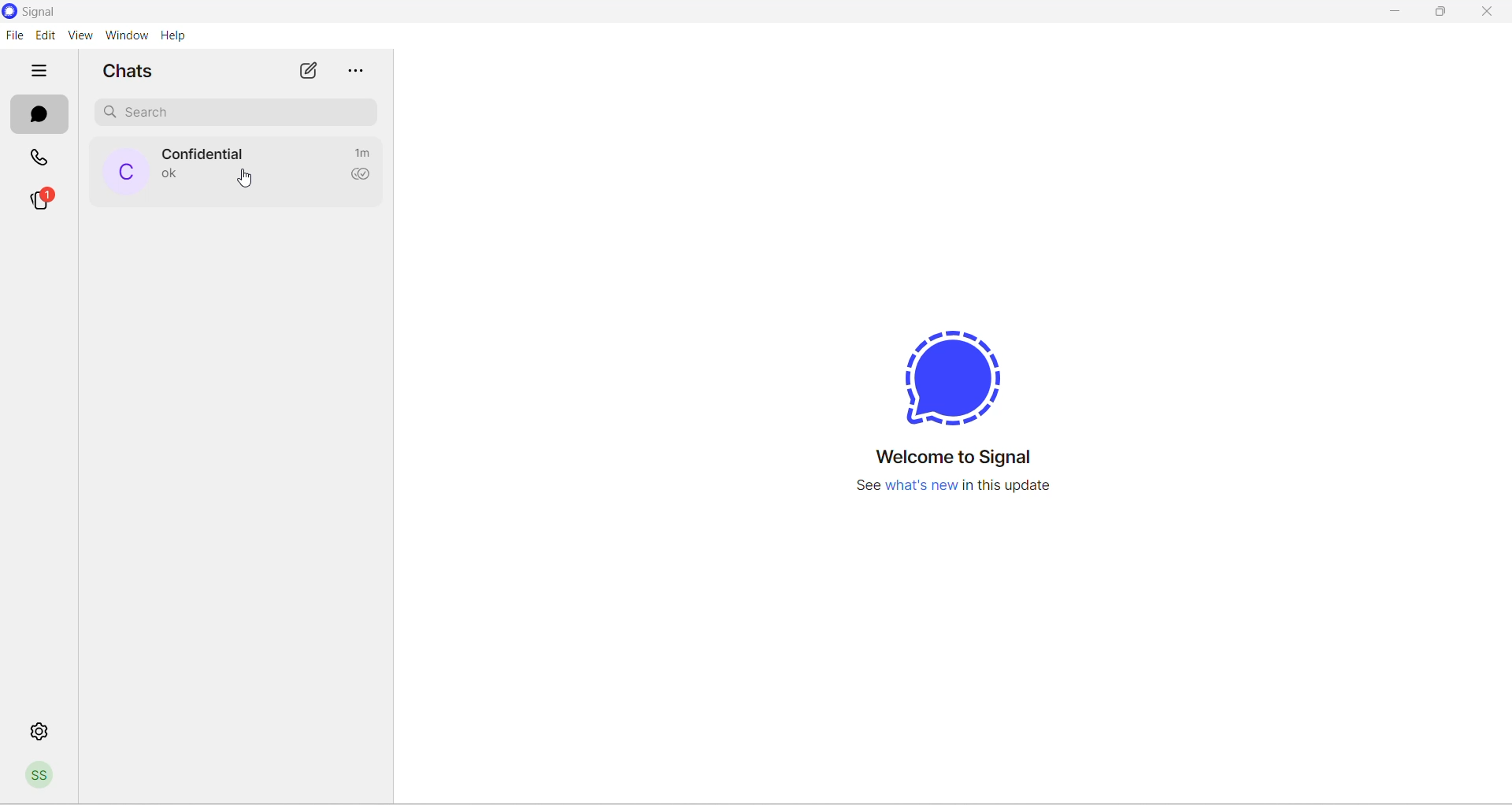 The image size is (1512, 805). What do you see at coordinates (43, 202) in the screenshot?
I see `stories` at bounding box center [43, 202].